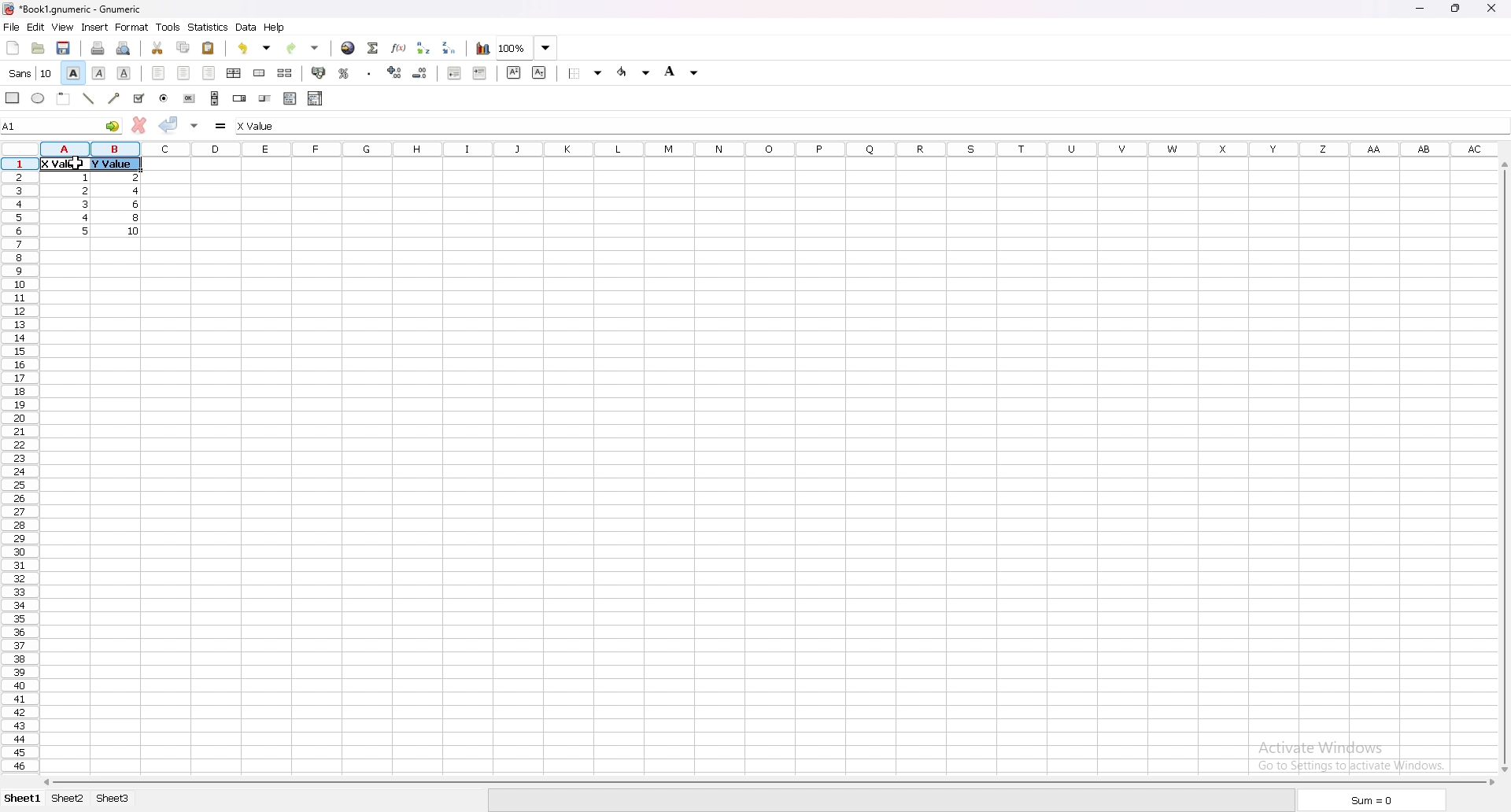 The width and height of the screenshot is (1511, 812). What do you see at coordinates (209, 27) in the screenshot?
I see `statistics` at bounding box center [209, 27].